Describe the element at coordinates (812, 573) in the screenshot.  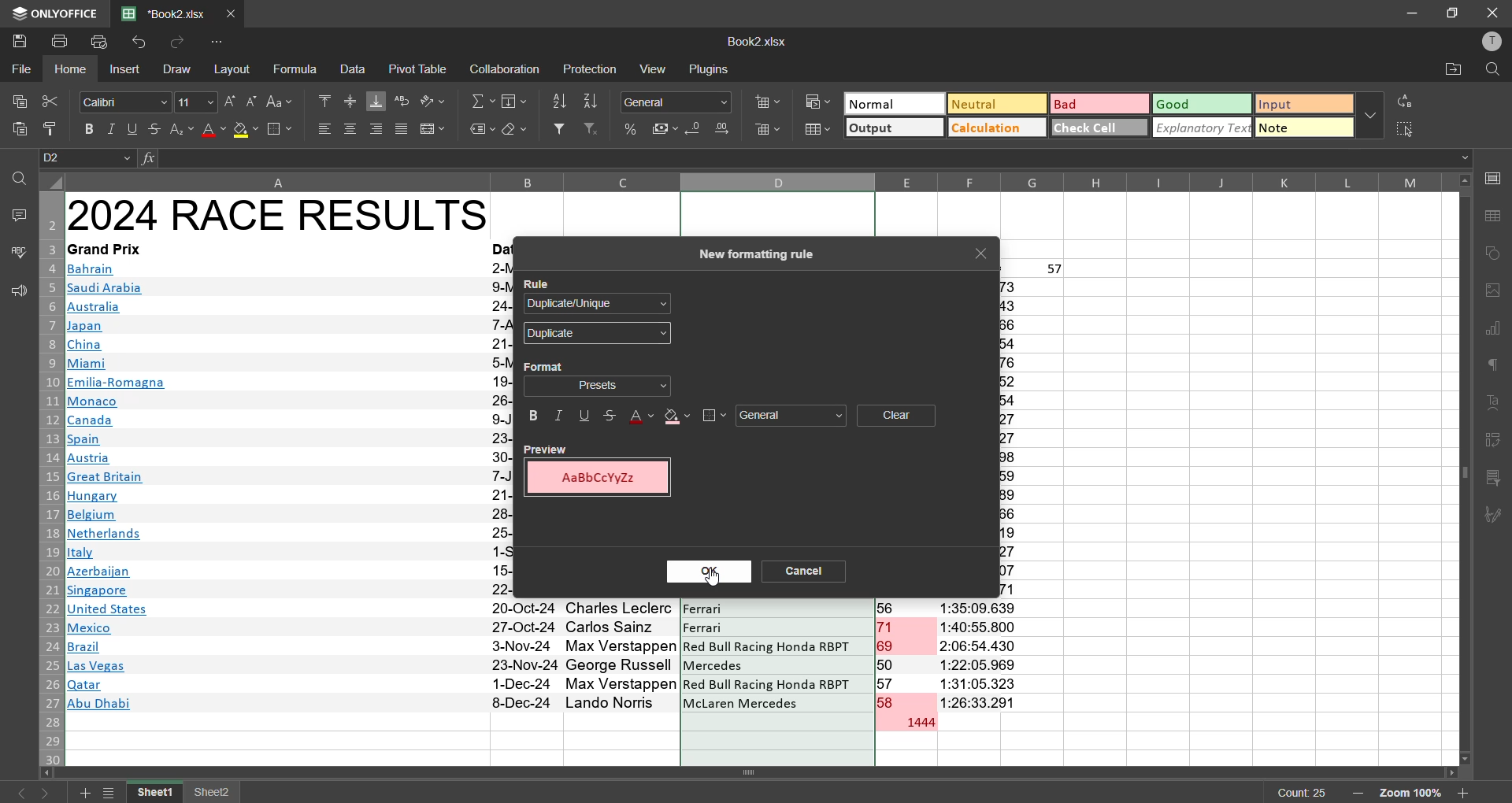
I see `cancel` at that location.